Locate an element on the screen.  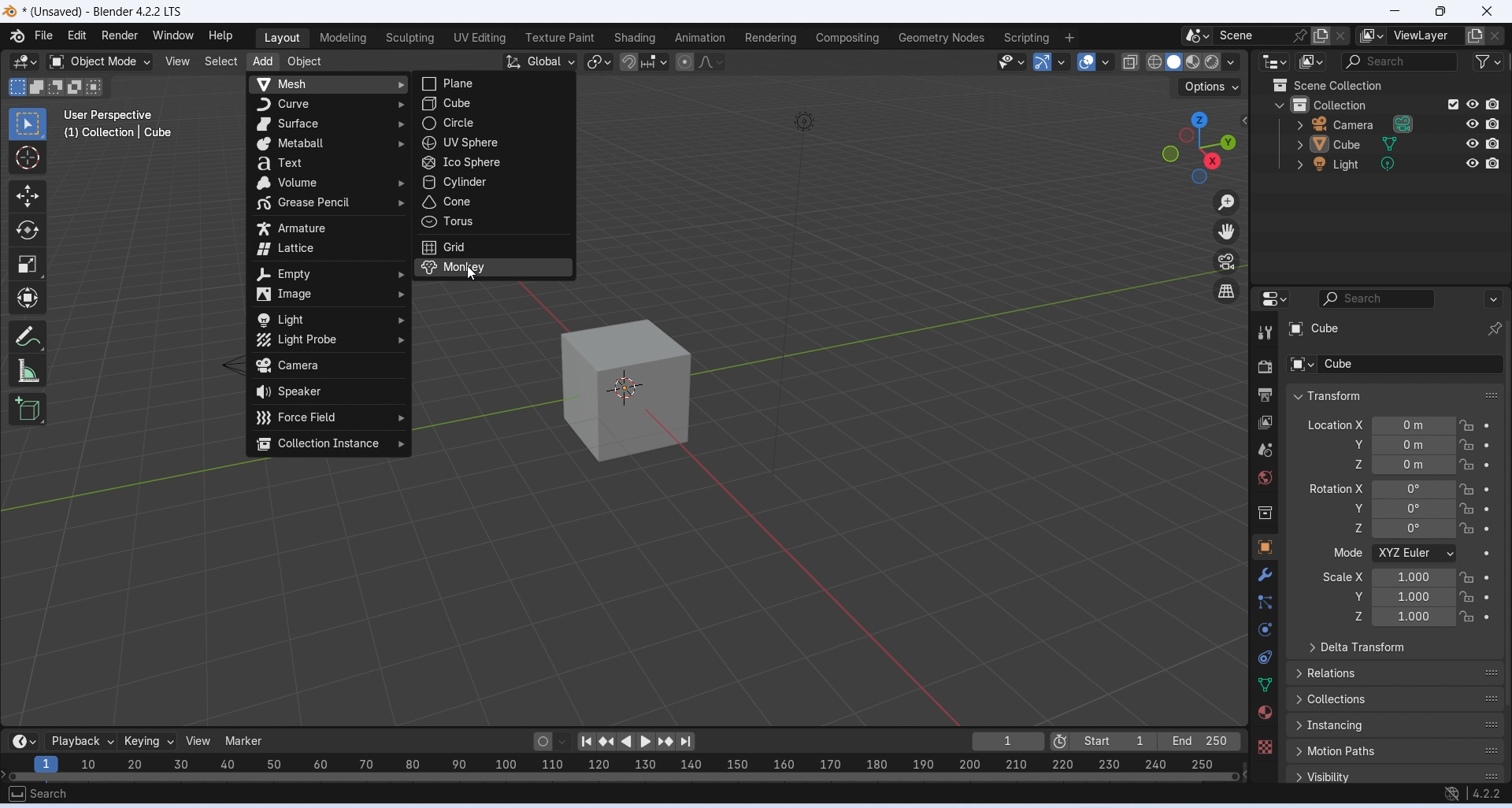
material is located at coordinates (1264, 712).